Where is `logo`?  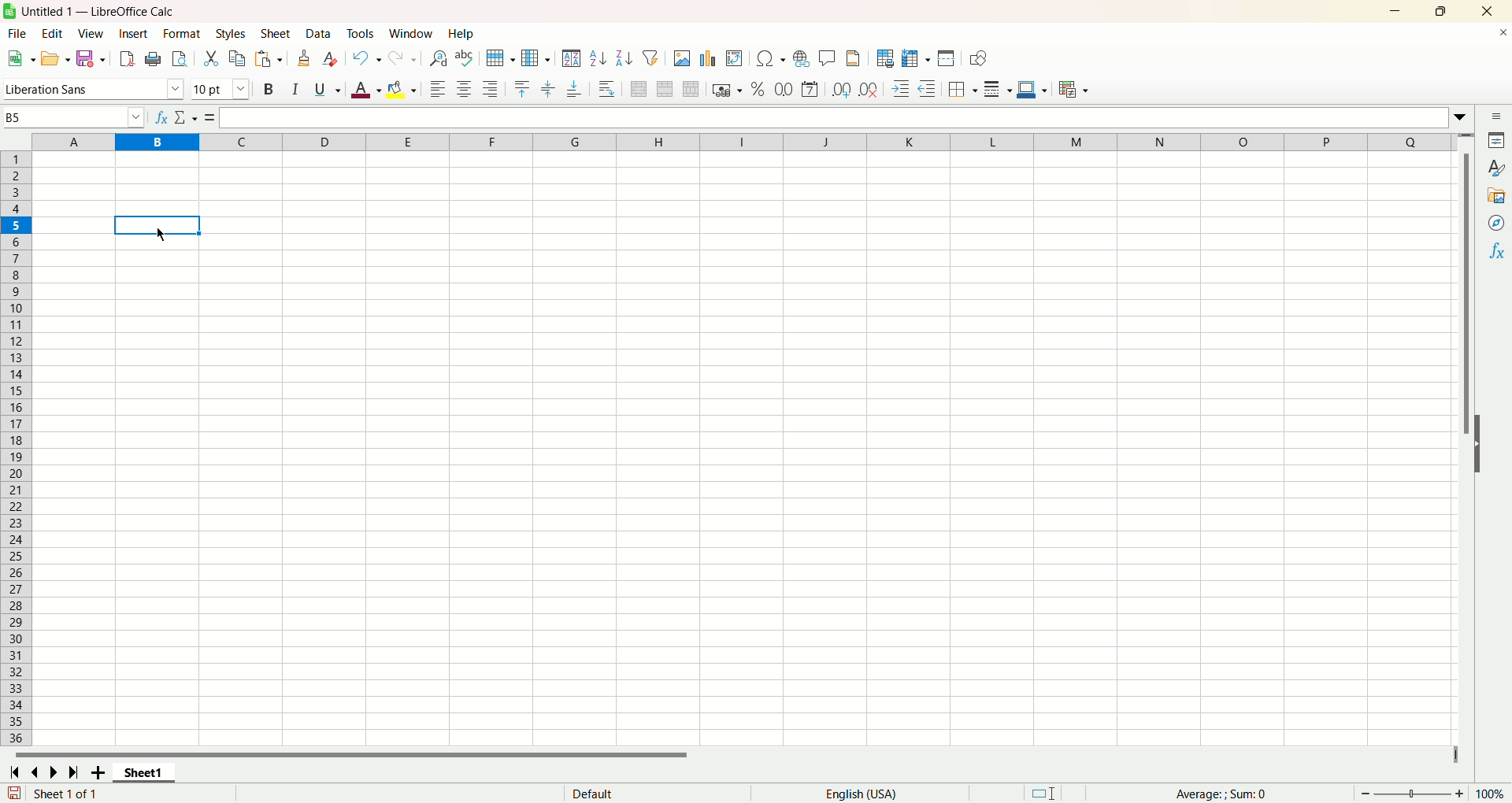
logo is located at coordinates (9, 11).